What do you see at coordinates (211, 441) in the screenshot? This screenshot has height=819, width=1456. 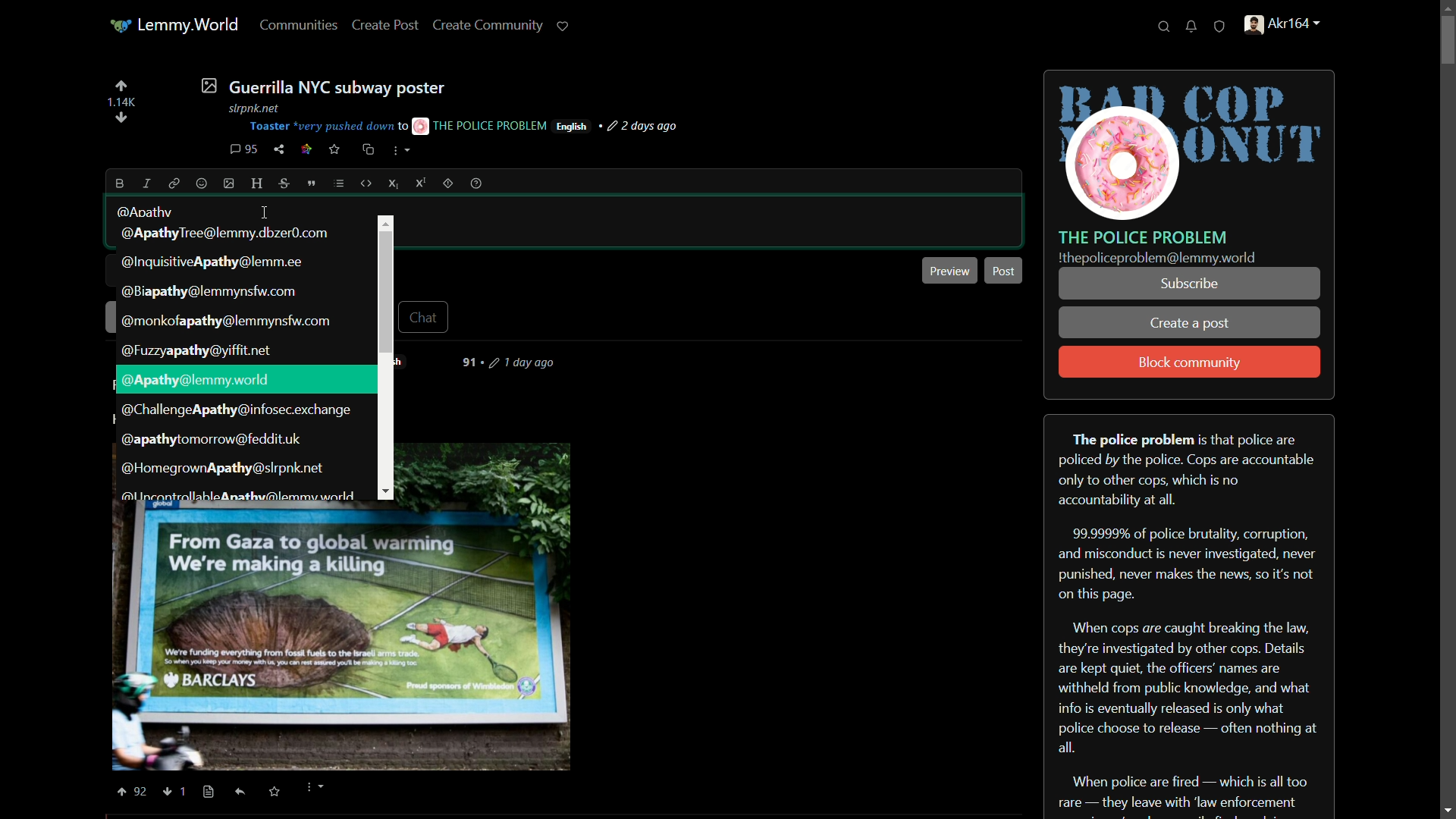 I see `suggestion-8` at bounding box center [211, 441].